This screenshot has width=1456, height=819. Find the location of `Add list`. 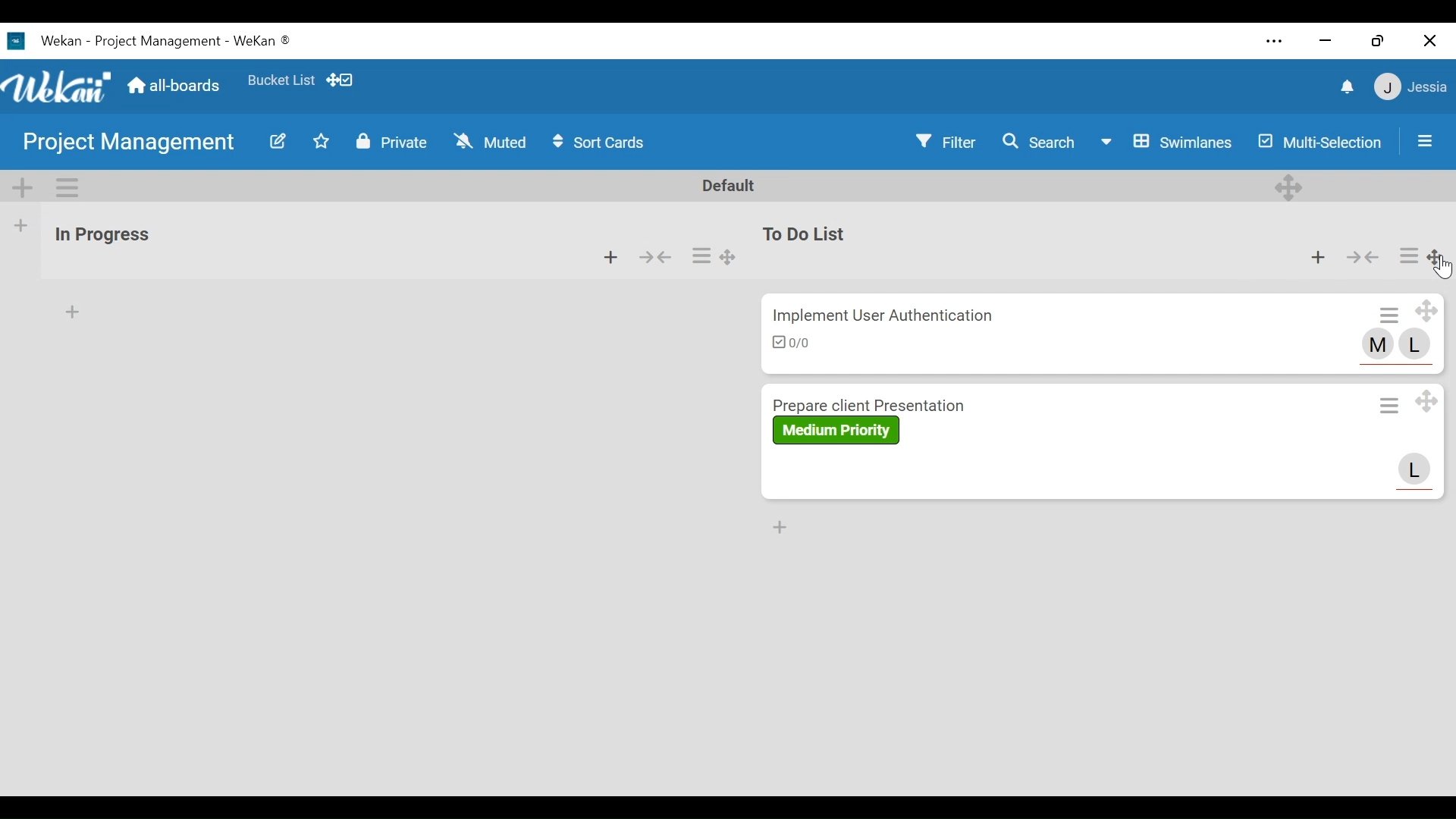

Add list is located at coordinates (21, 226).